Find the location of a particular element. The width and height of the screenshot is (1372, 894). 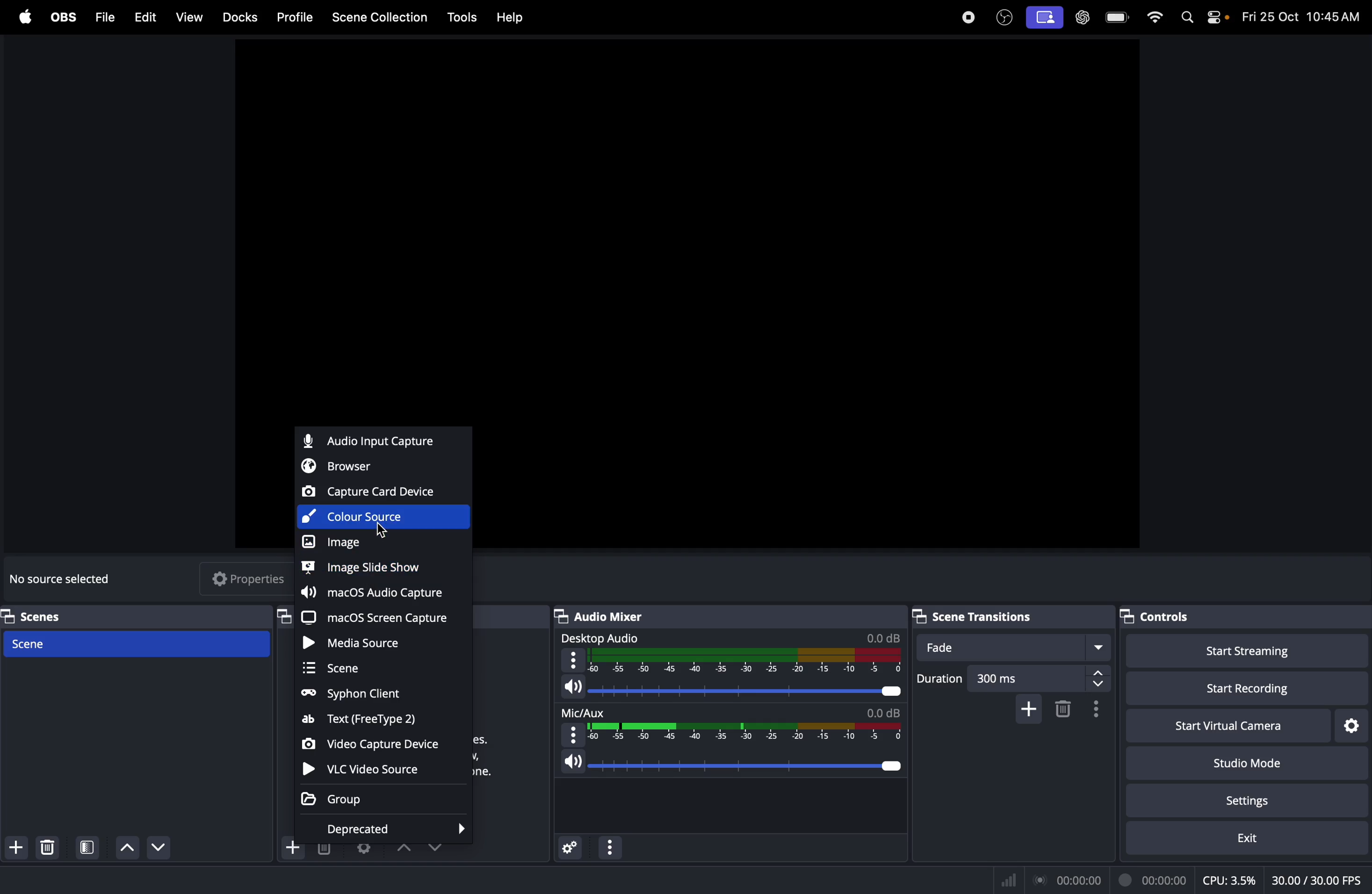

screen record is located at coordinates (1046, 18).